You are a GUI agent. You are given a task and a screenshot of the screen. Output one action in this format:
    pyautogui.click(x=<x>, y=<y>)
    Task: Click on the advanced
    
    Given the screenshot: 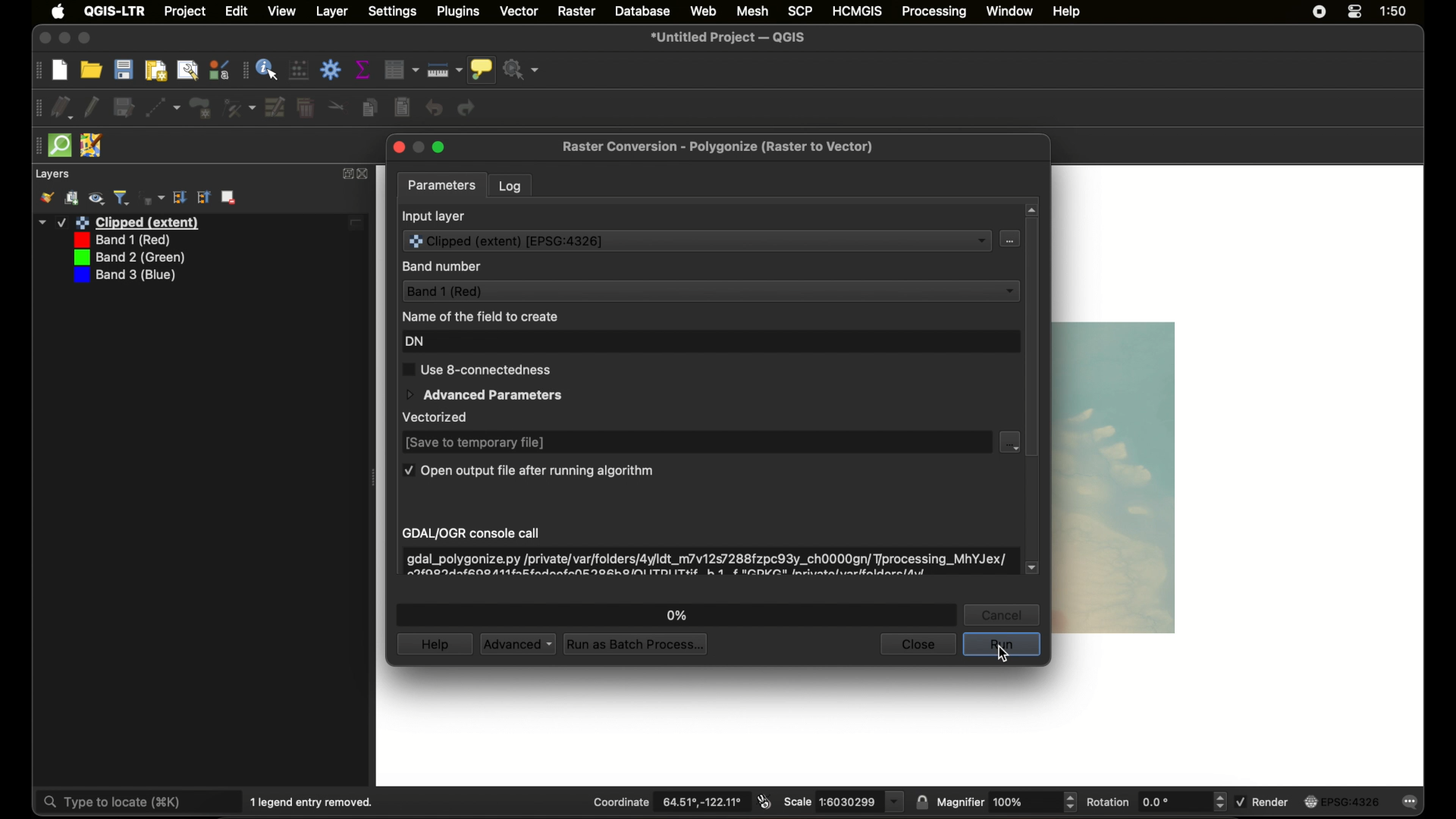 What is the action you would take?
    pyautogui.click(x=516, y=645)
    